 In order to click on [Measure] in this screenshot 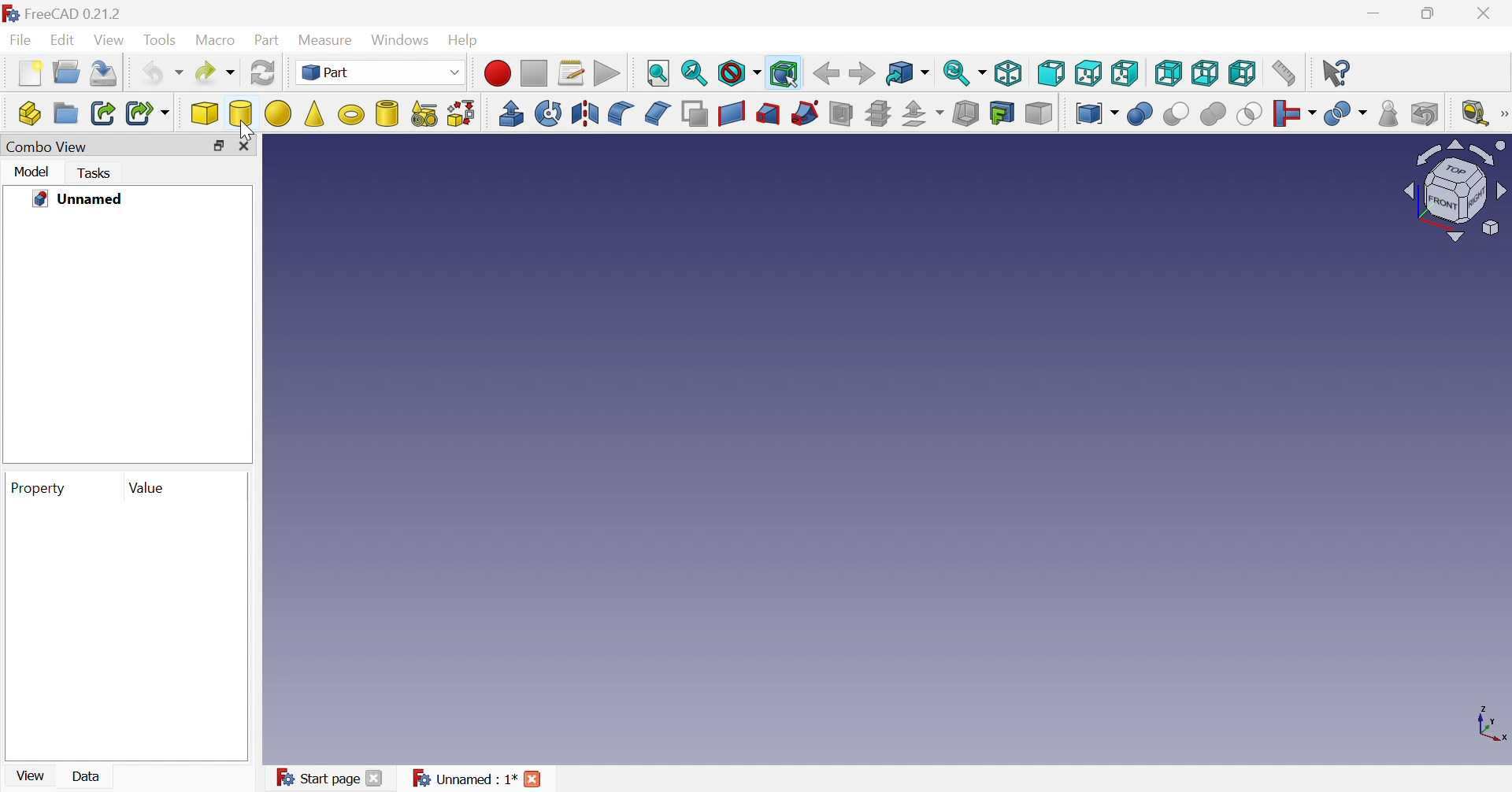, I will do `click(1503, 114)`.